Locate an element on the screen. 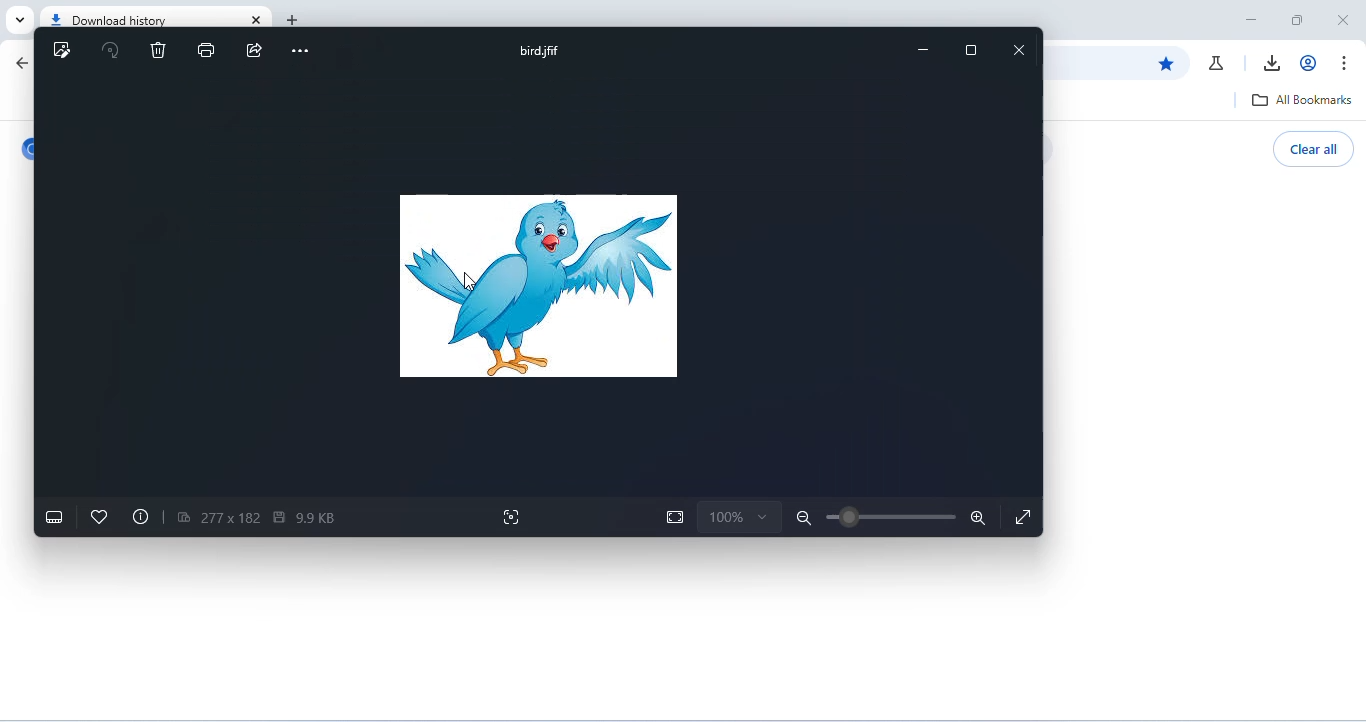 The image size is (1366, 722). close is located at coordinates (1342, 21).